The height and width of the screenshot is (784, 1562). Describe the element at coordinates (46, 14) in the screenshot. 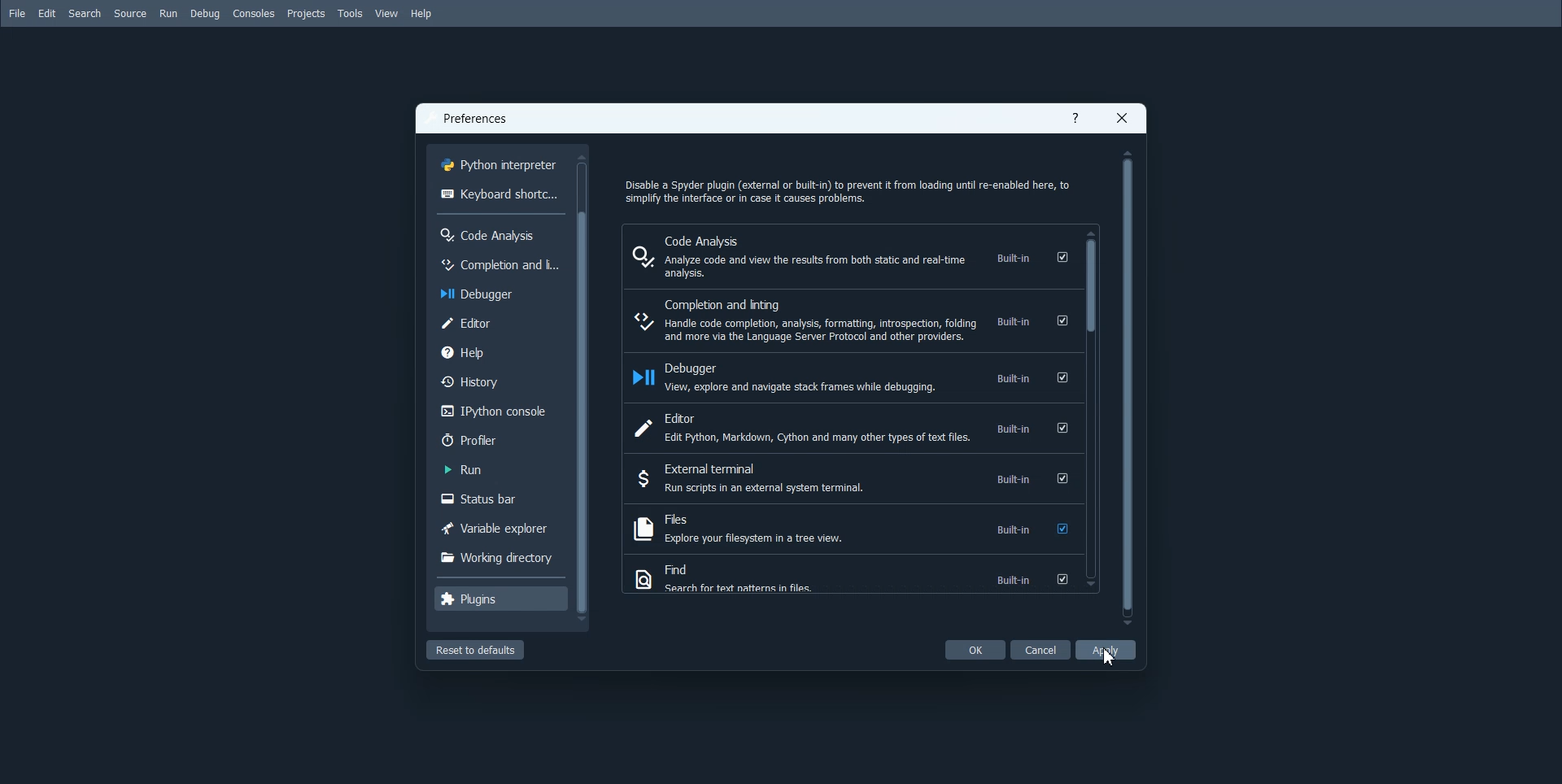

I see `Edit` at that location.